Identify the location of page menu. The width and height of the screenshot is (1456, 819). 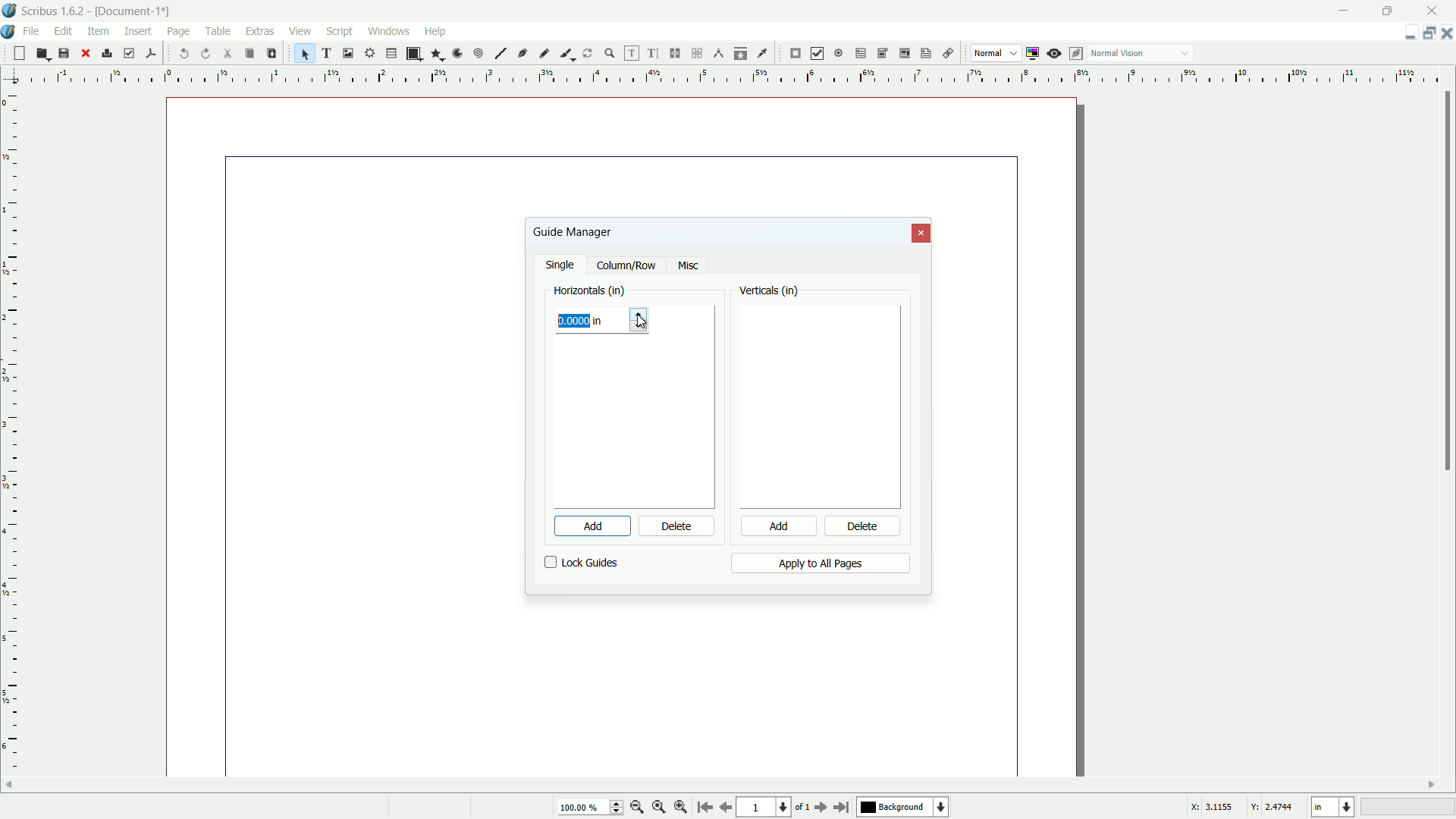
(178, 29).